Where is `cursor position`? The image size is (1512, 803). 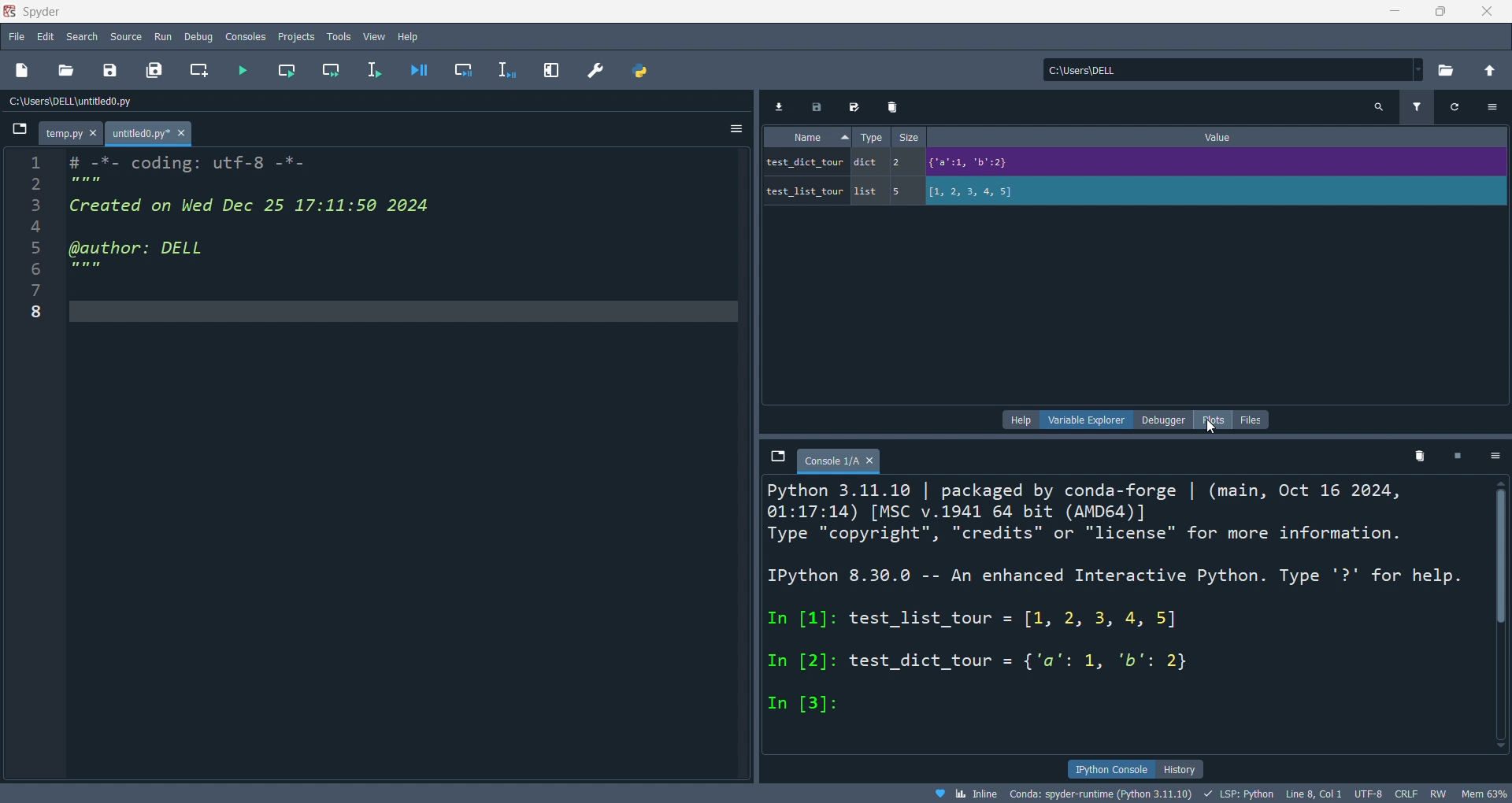
cursor position is located at coordinates (1310, 794).